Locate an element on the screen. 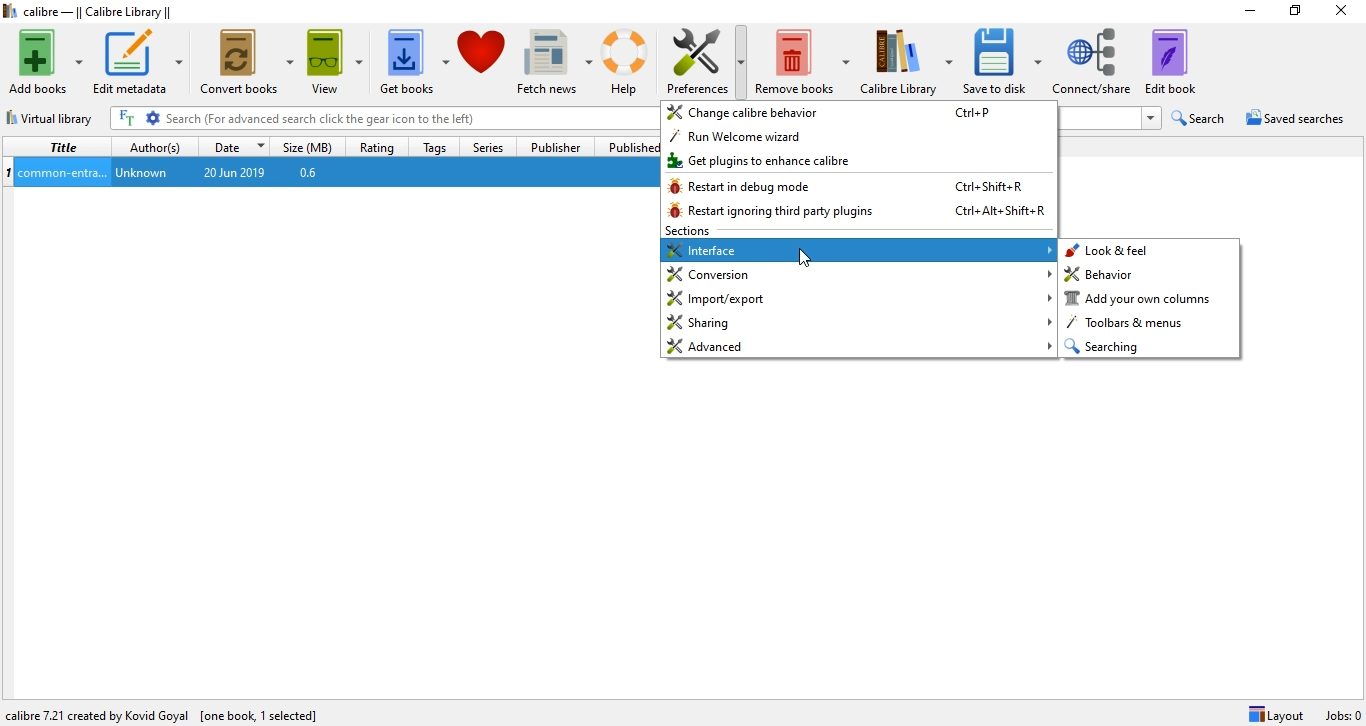 The image size is (1366, 726). Series is located at coordinates (485, 145).